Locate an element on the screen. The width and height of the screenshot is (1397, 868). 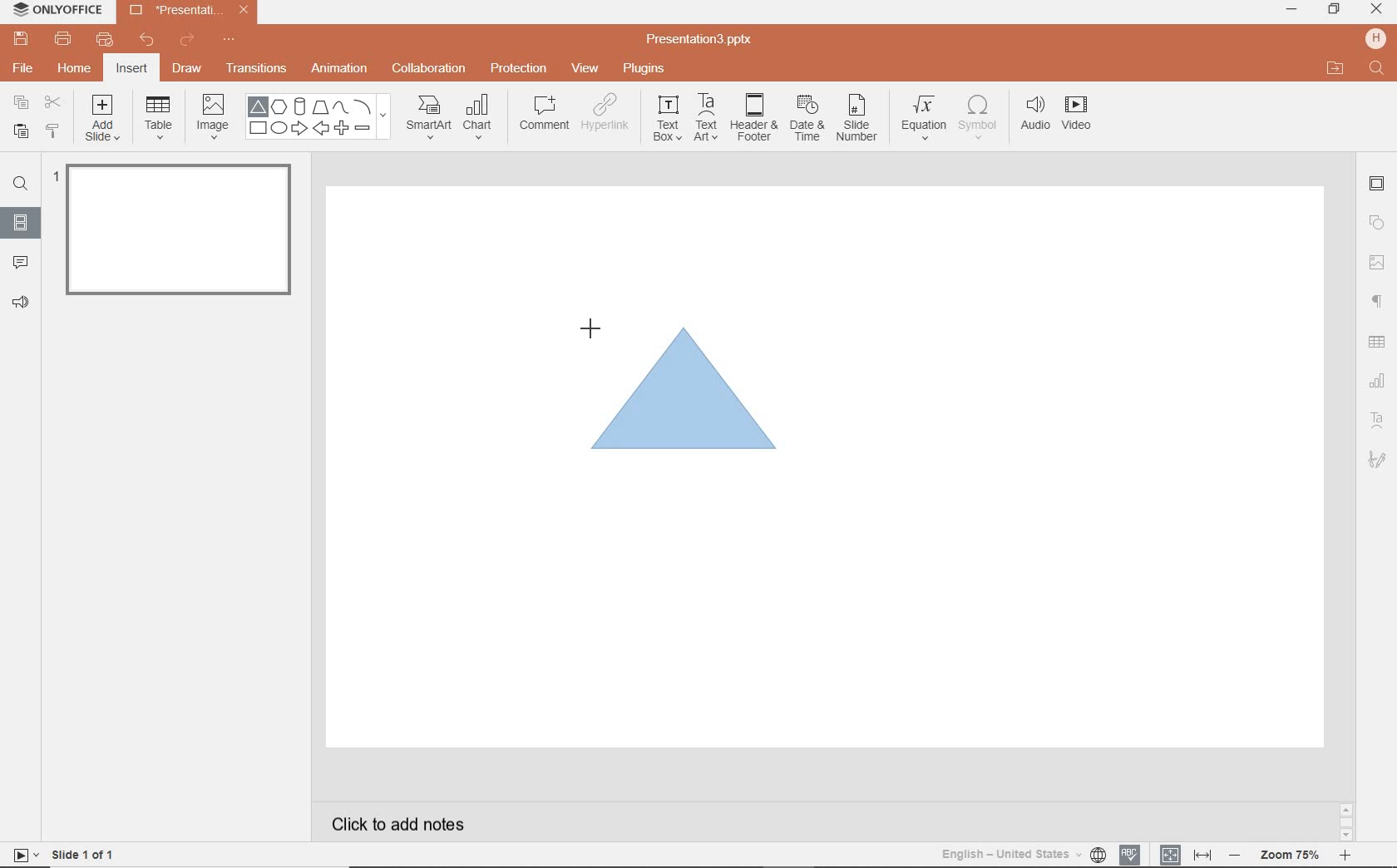
SLIDES is located at coordinates (22, 223).